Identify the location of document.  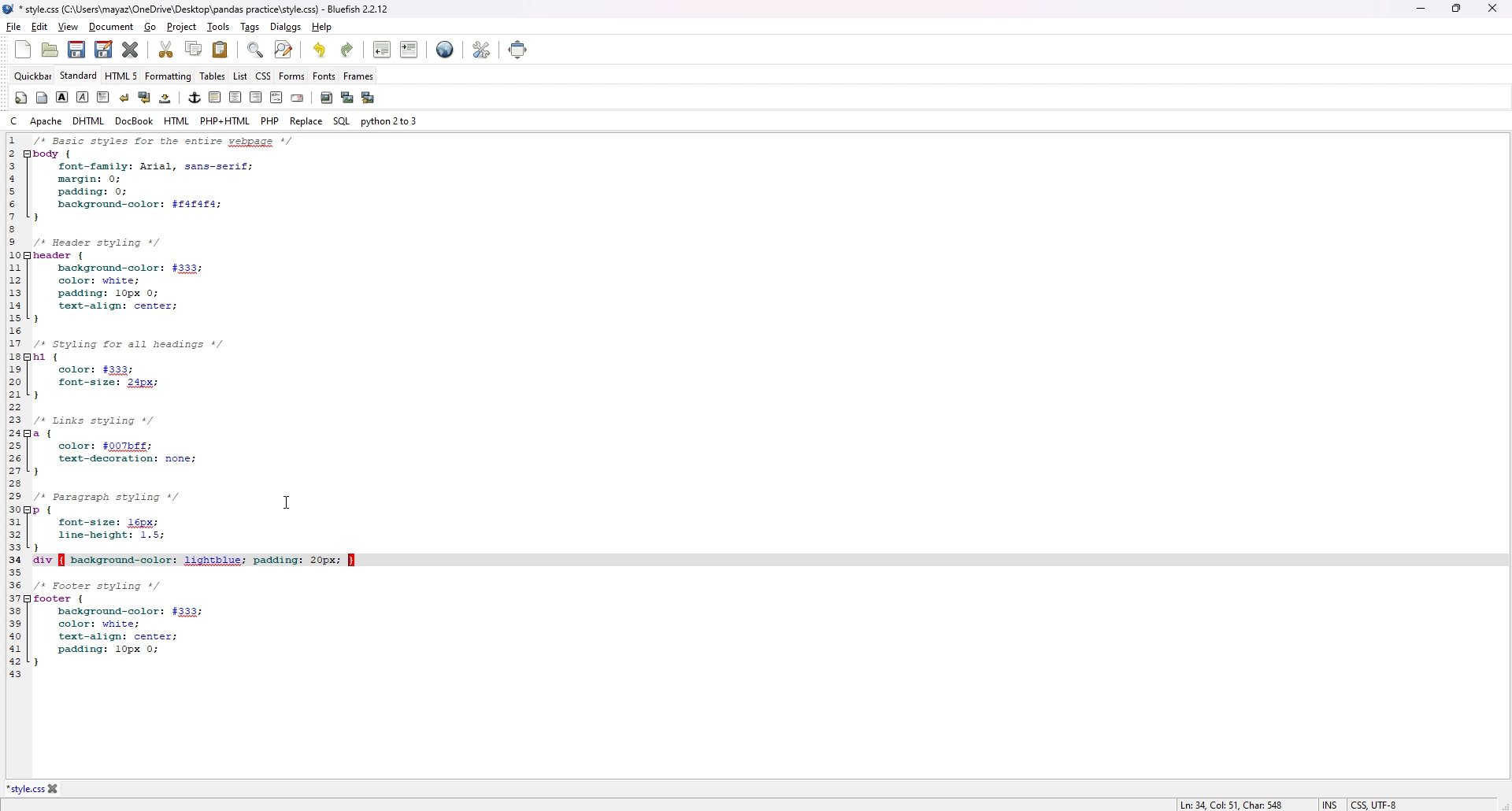
(112, 27).